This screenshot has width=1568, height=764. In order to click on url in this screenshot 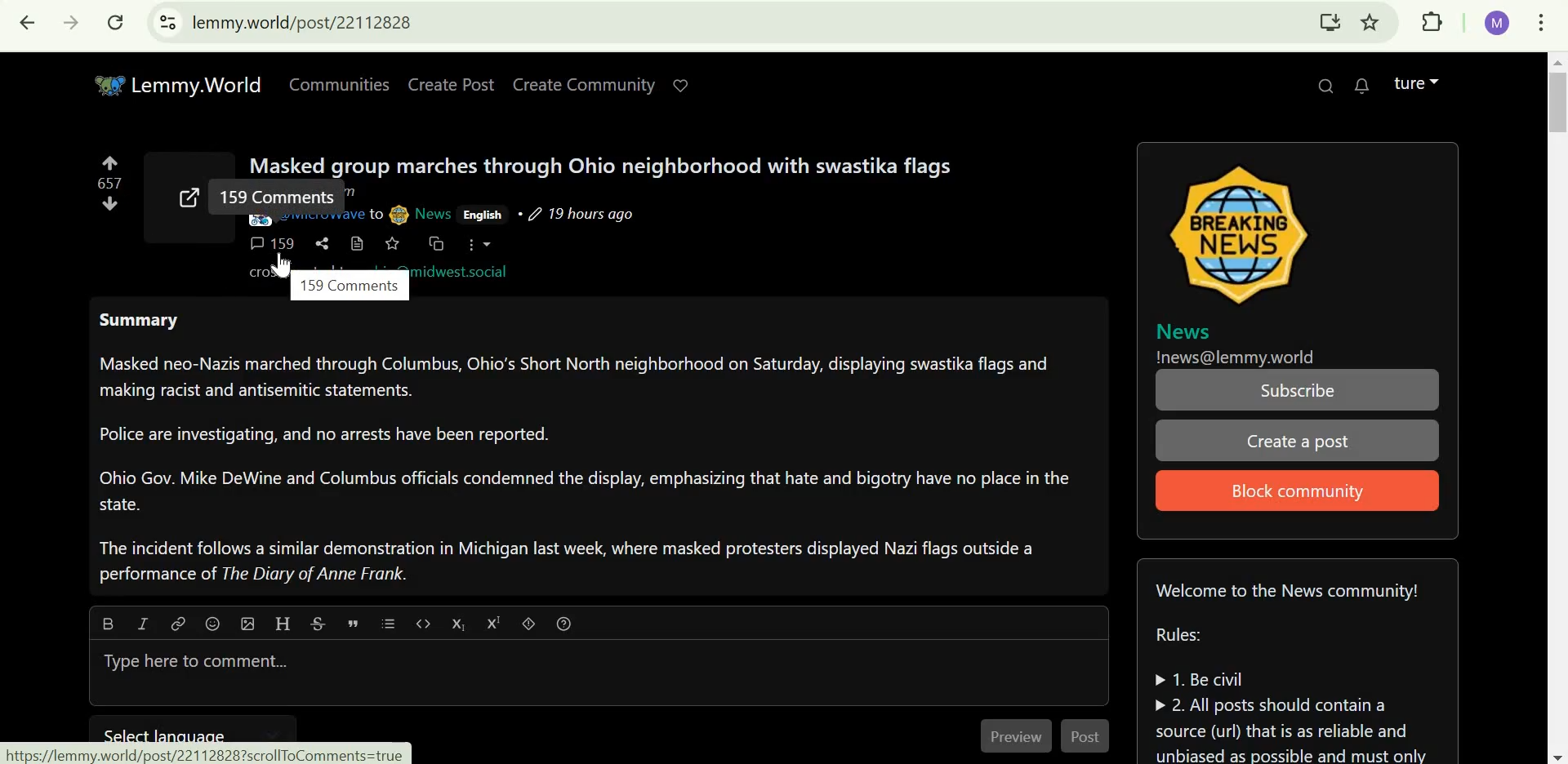, I will do `click(209, 753)`.